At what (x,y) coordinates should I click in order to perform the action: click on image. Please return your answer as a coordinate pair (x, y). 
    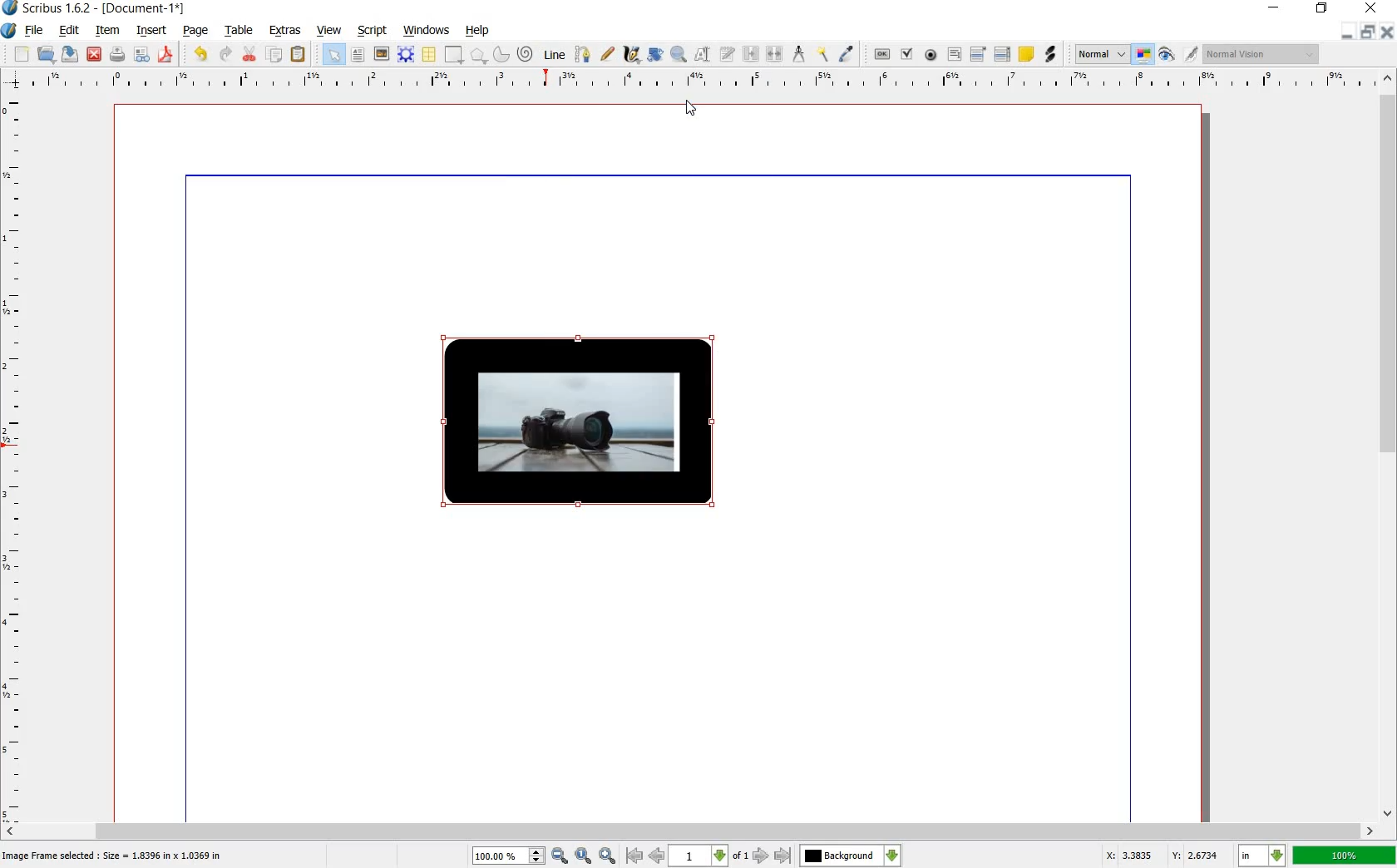
    Looking at the image, I should click on (380, 53).